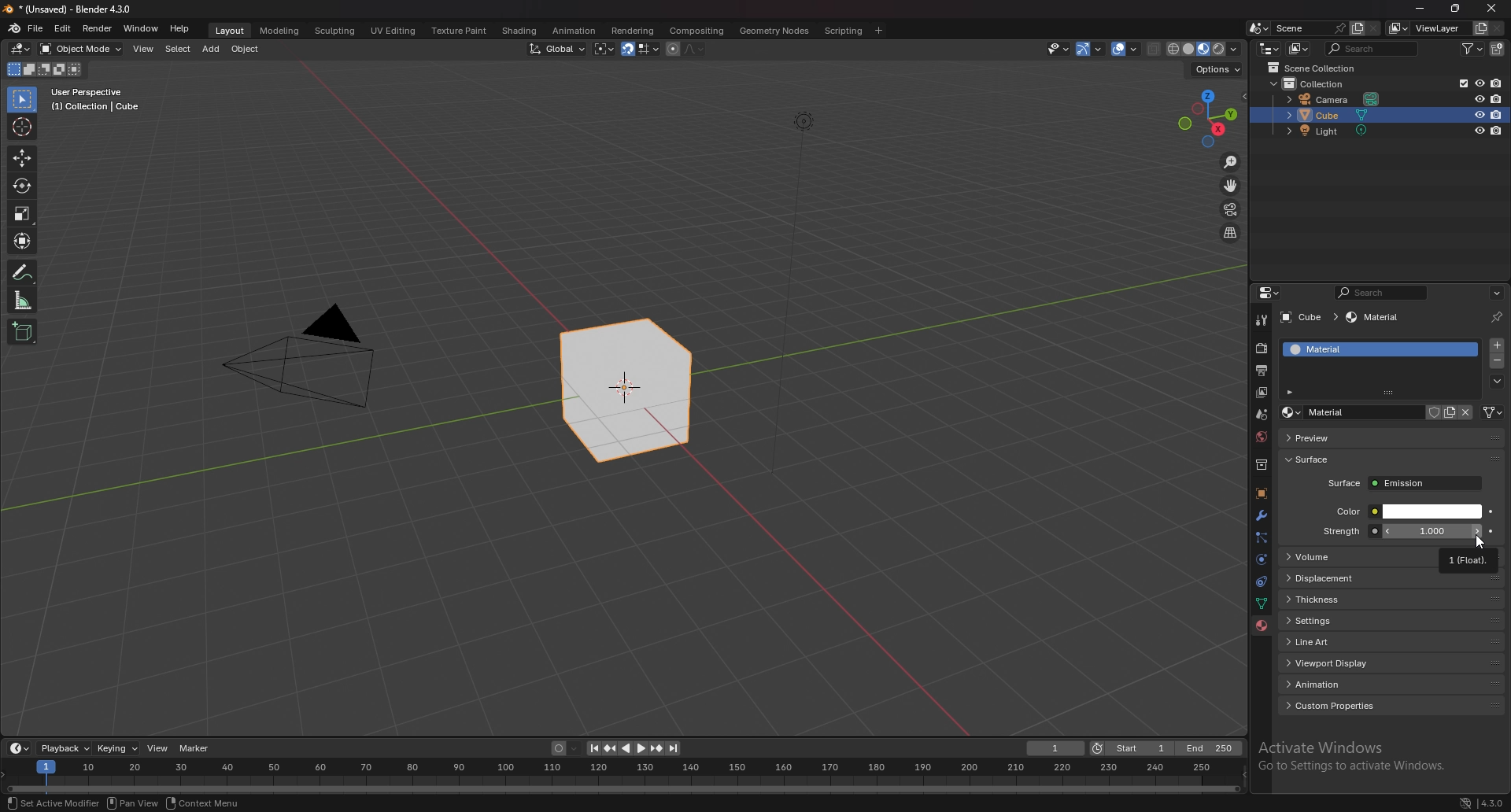 The height and width of the screenshot is (812, 1511). What do you see at coordinates (65, 28) in the screenshot?
I see `edit` at bounding box center [65, 28].